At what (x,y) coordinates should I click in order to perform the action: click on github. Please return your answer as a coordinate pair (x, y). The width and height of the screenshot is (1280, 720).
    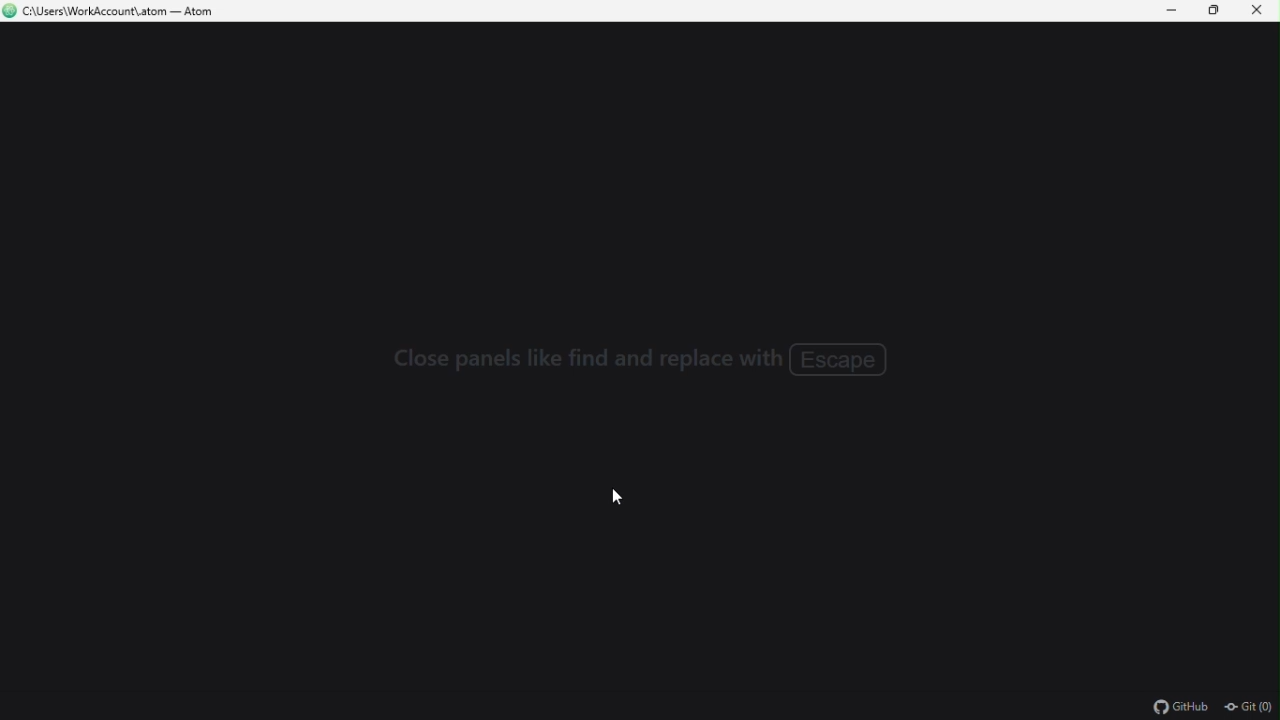
    Looking at the image, I should click on (1181, 706).